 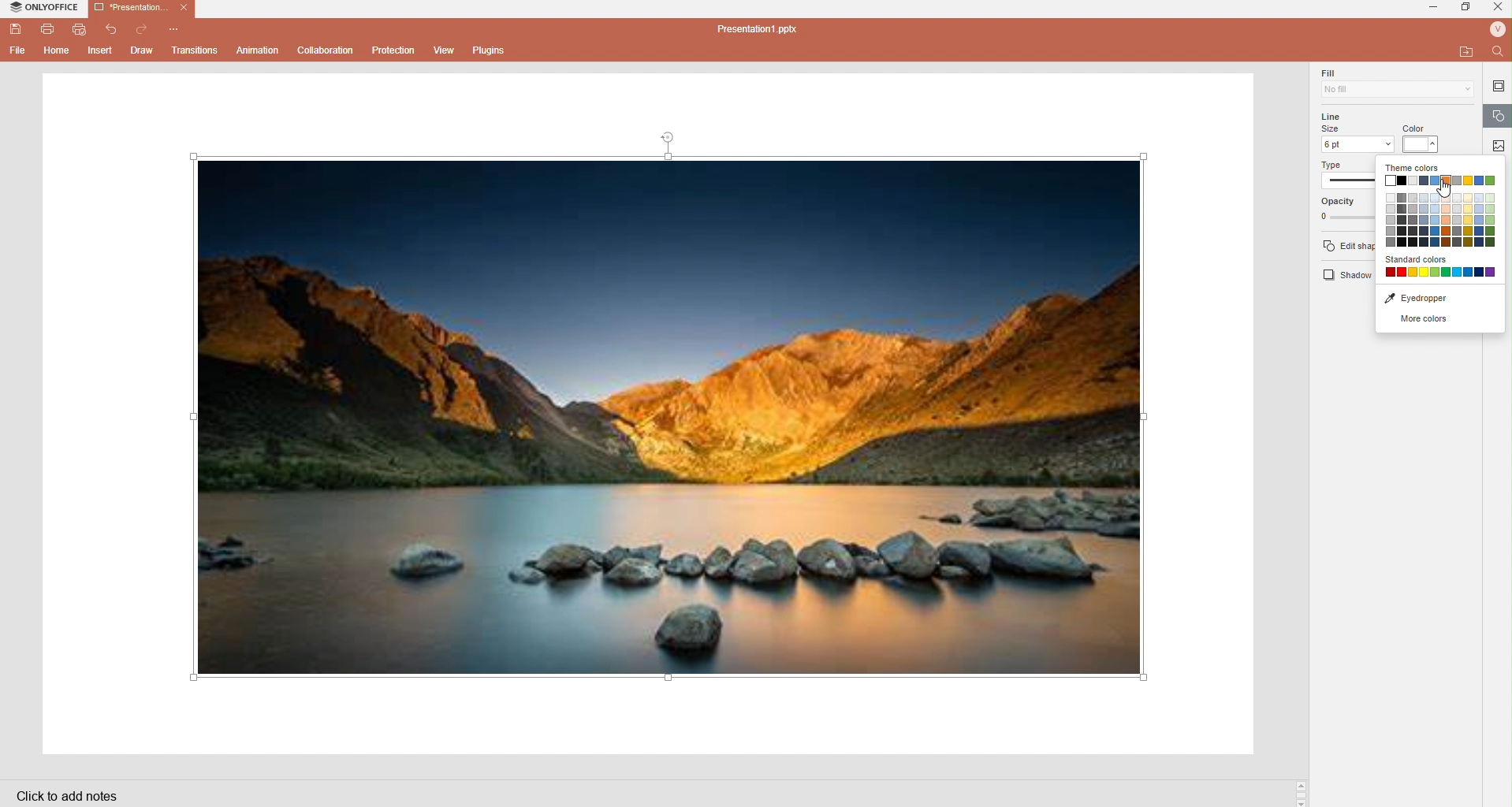 What do you see at coordinates (1440, 299) in the screenshot?
I see `Eyedropper` at bounding box center [1440, 299].